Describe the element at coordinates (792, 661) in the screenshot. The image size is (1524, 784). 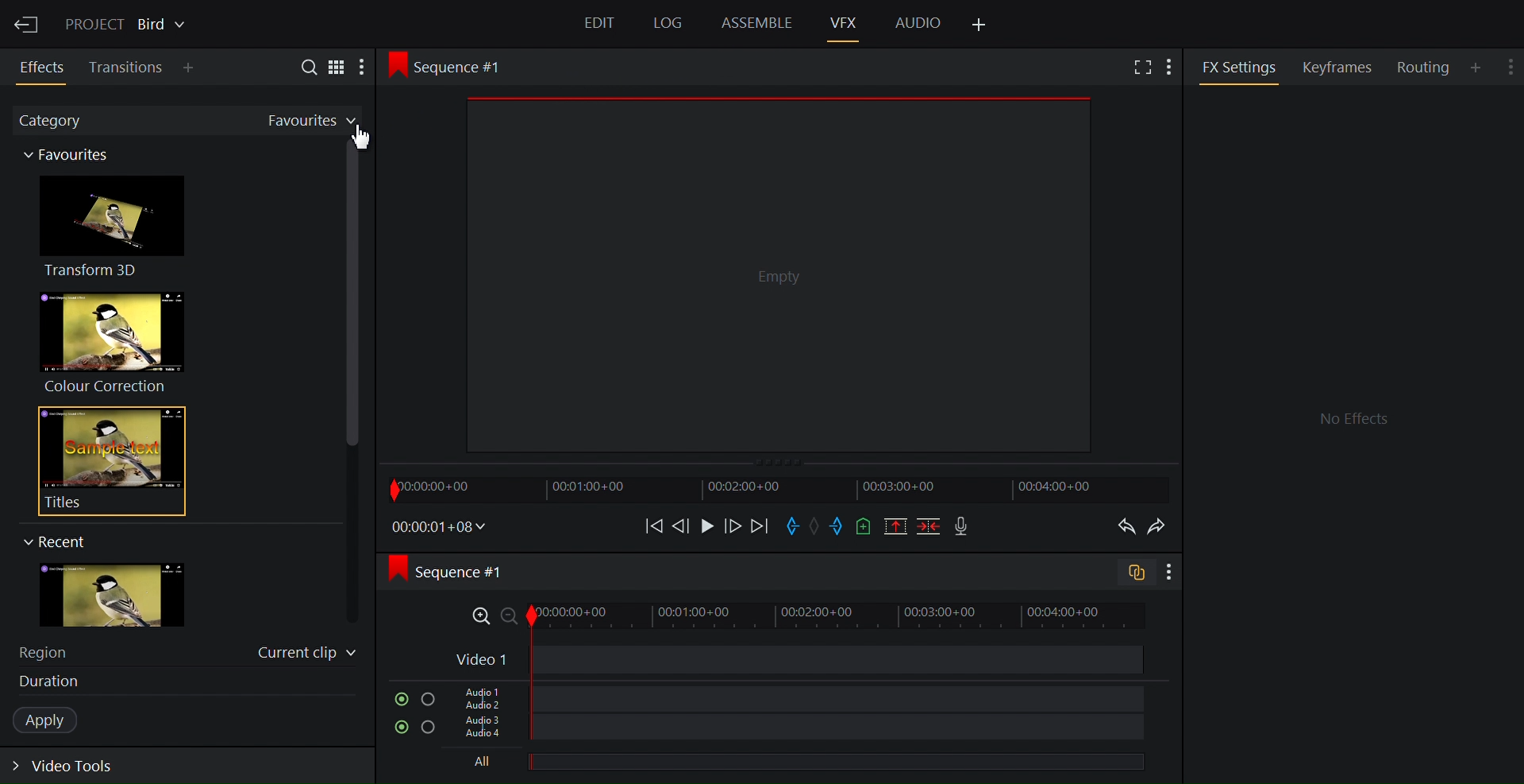
I see `Video Track` at that location.